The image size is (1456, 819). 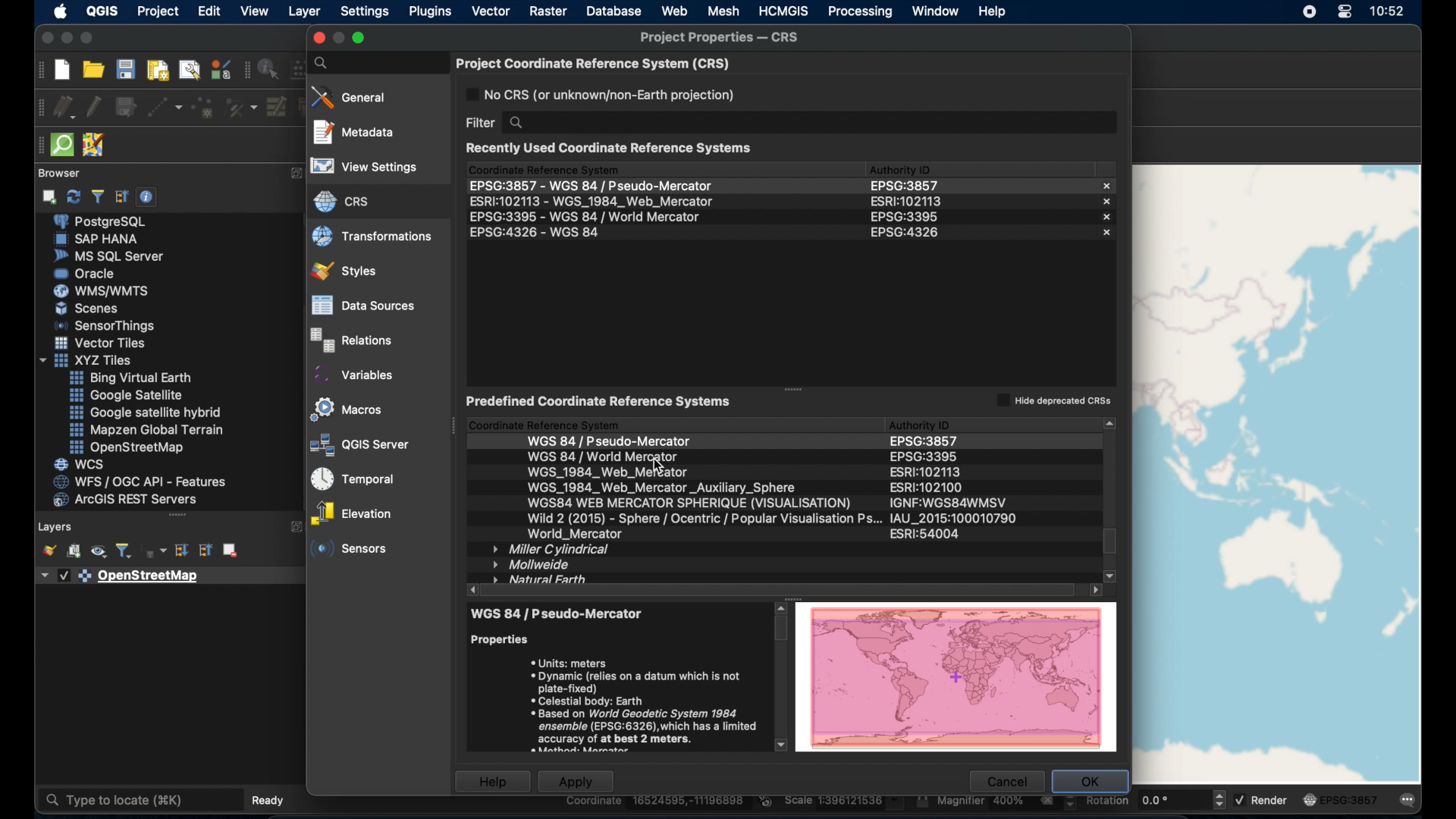 What do you see at coordinates (49, 551) in the screenshot?
I see `open layerstyling panel` at bounding box center [49, 551].